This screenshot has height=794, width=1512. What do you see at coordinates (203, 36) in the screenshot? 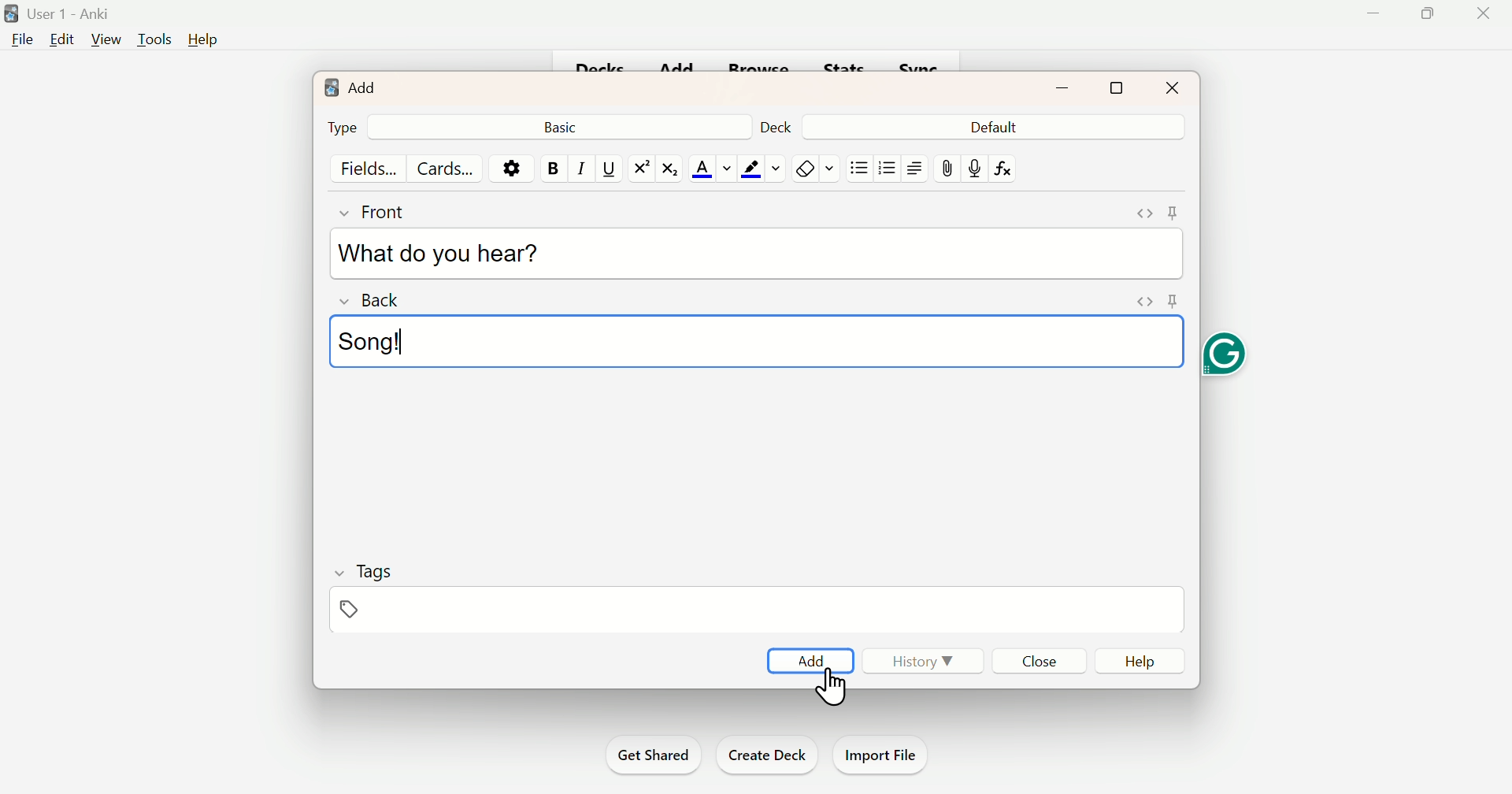
I see `Help` at bounding box center [203, 36].